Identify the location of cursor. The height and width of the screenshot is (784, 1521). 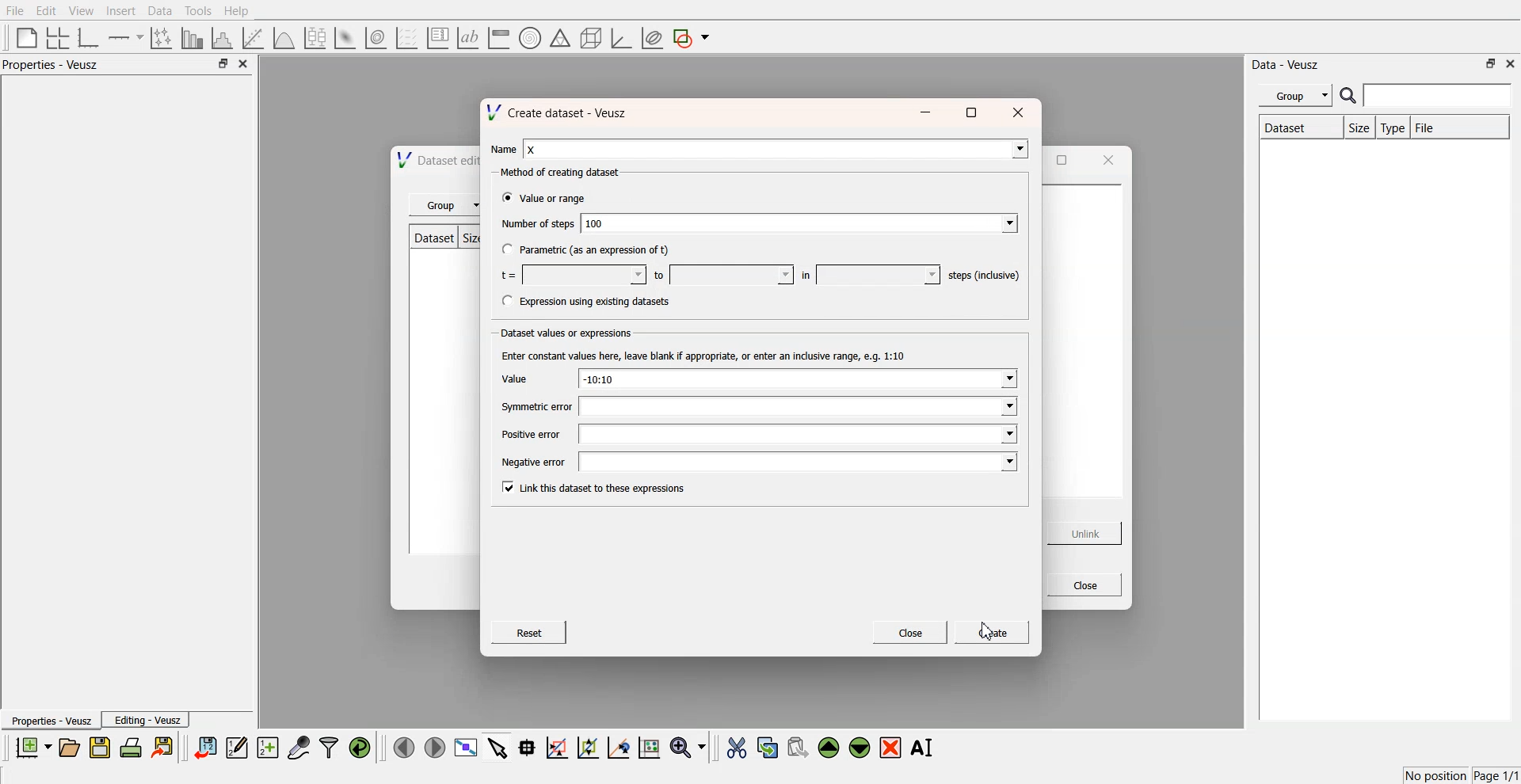
(988, 633).